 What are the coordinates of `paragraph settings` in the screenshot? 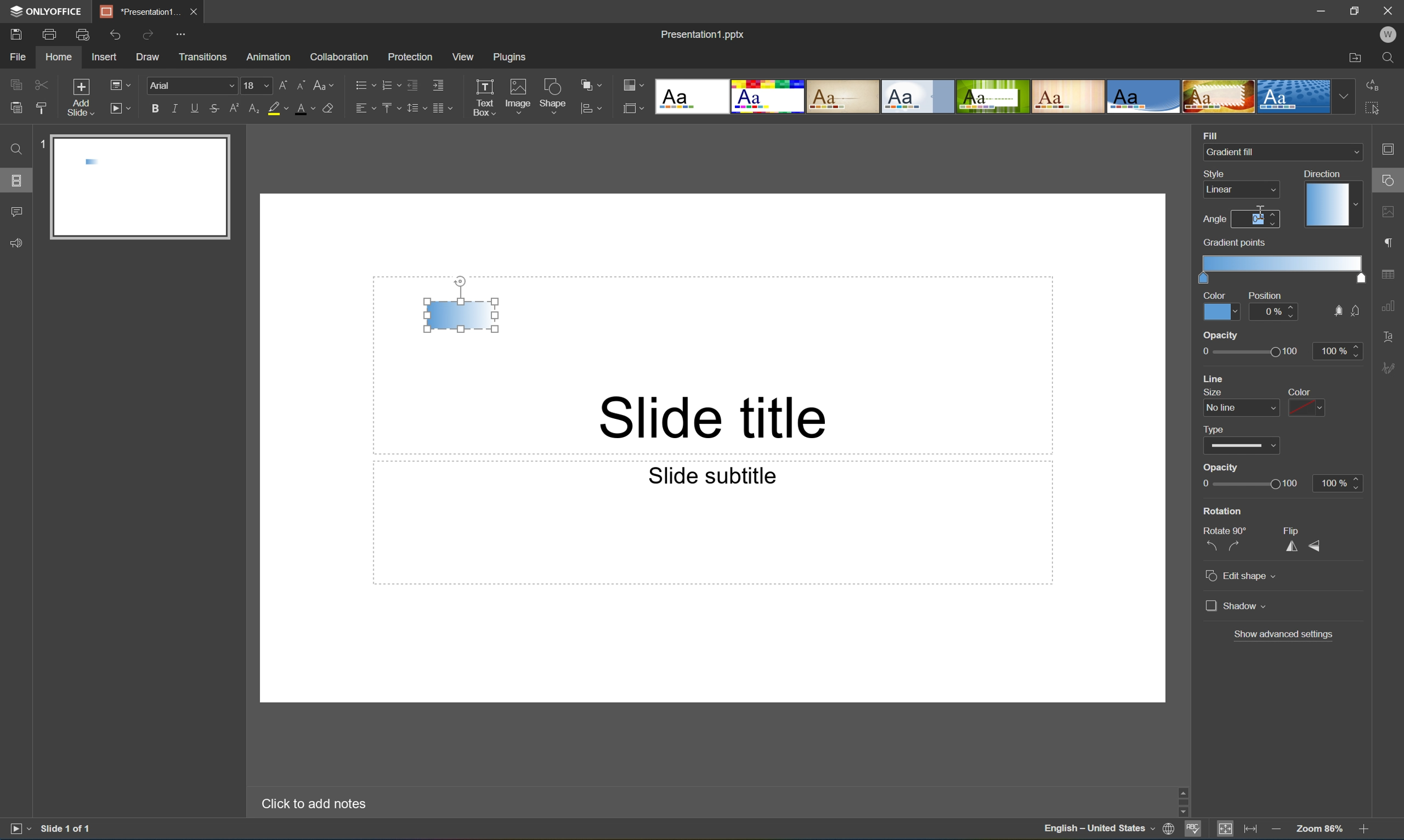 It's located at (1391, 241).